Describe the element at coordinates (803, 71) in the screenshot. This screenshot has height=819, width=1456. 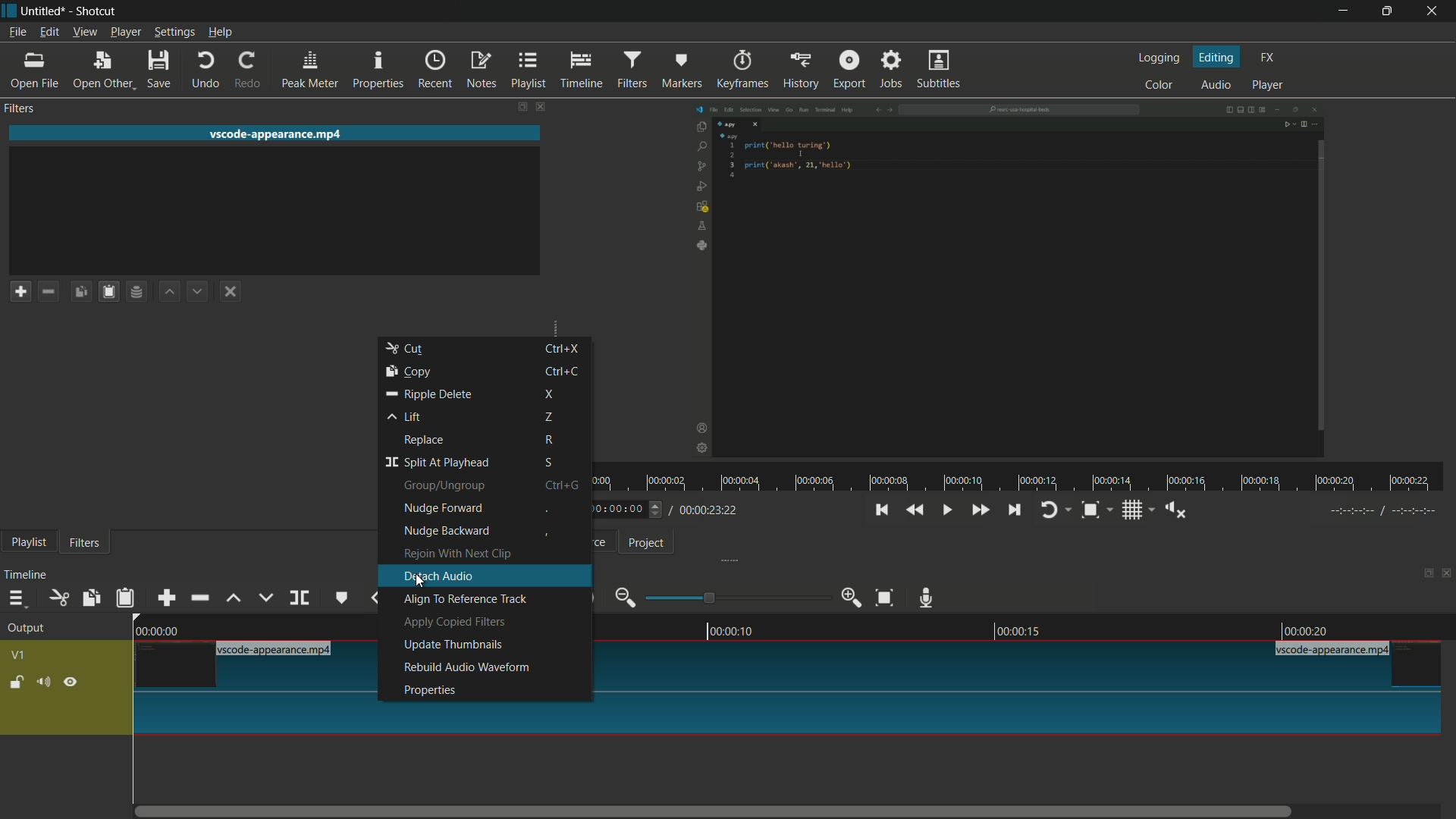
I see `history` at that location.